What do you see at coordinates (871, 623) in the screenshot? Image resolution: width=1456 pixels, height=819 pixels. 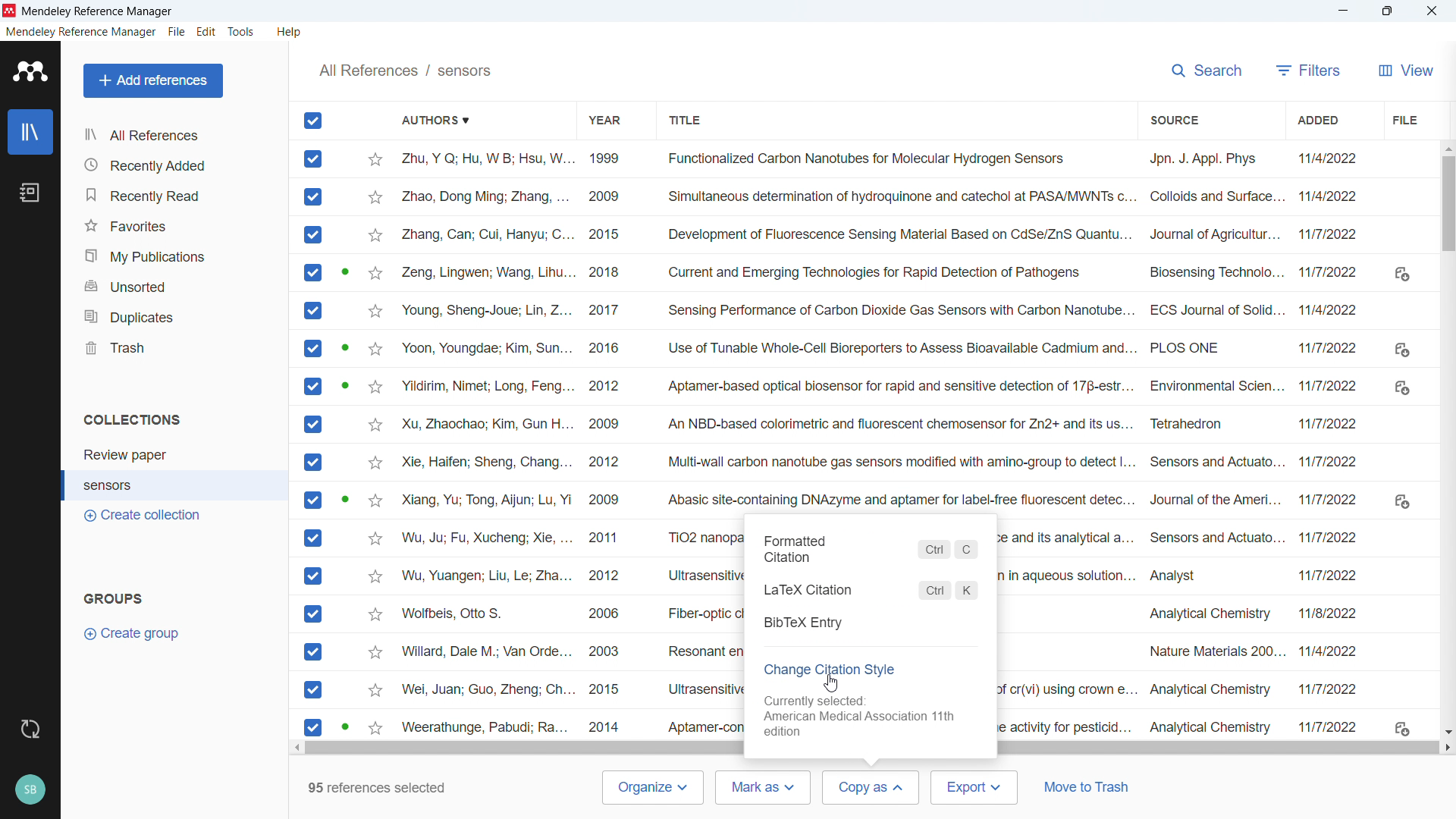 I see `Bibtex entry ` at bounding box center [871, 623].